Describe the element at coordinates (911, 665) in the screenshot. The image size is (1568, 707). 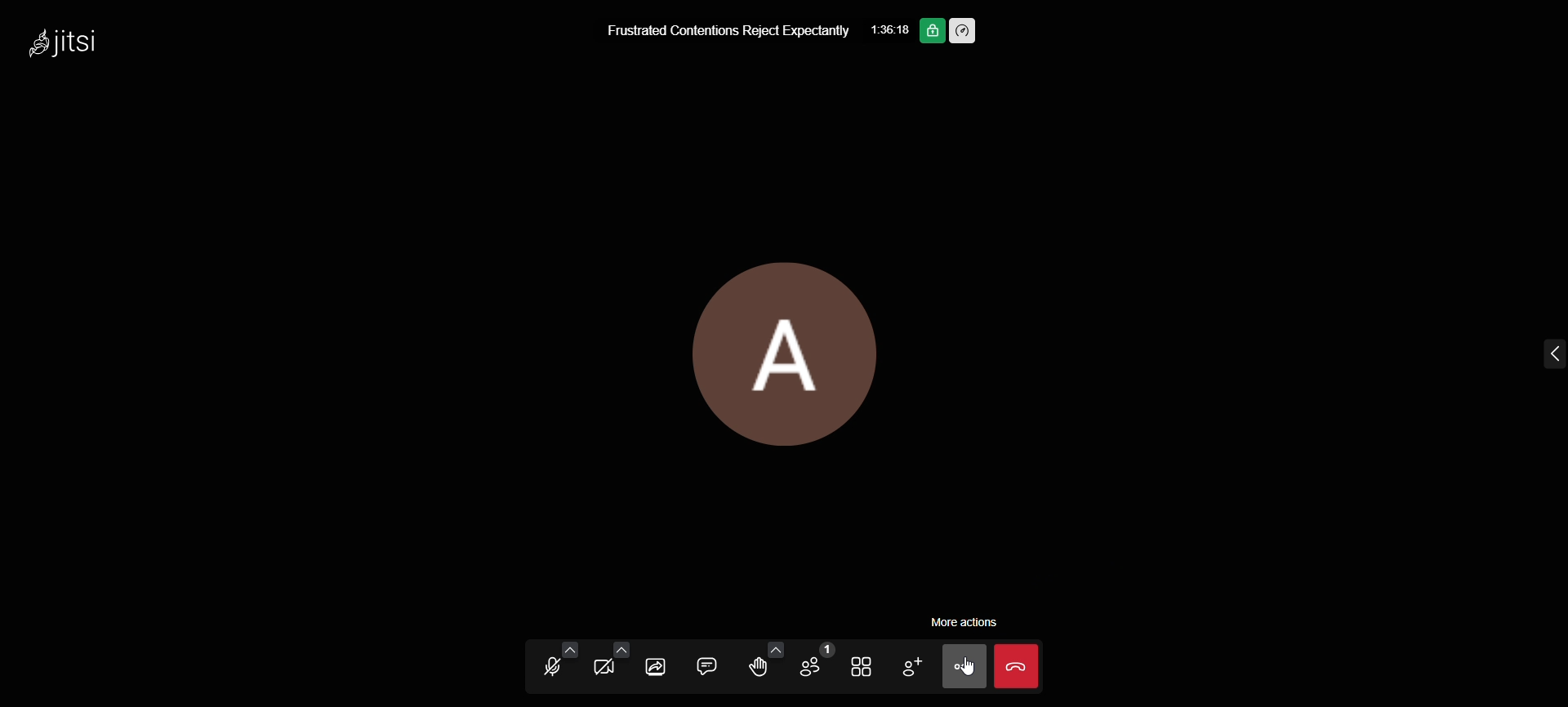
I see `add participants` at that location.